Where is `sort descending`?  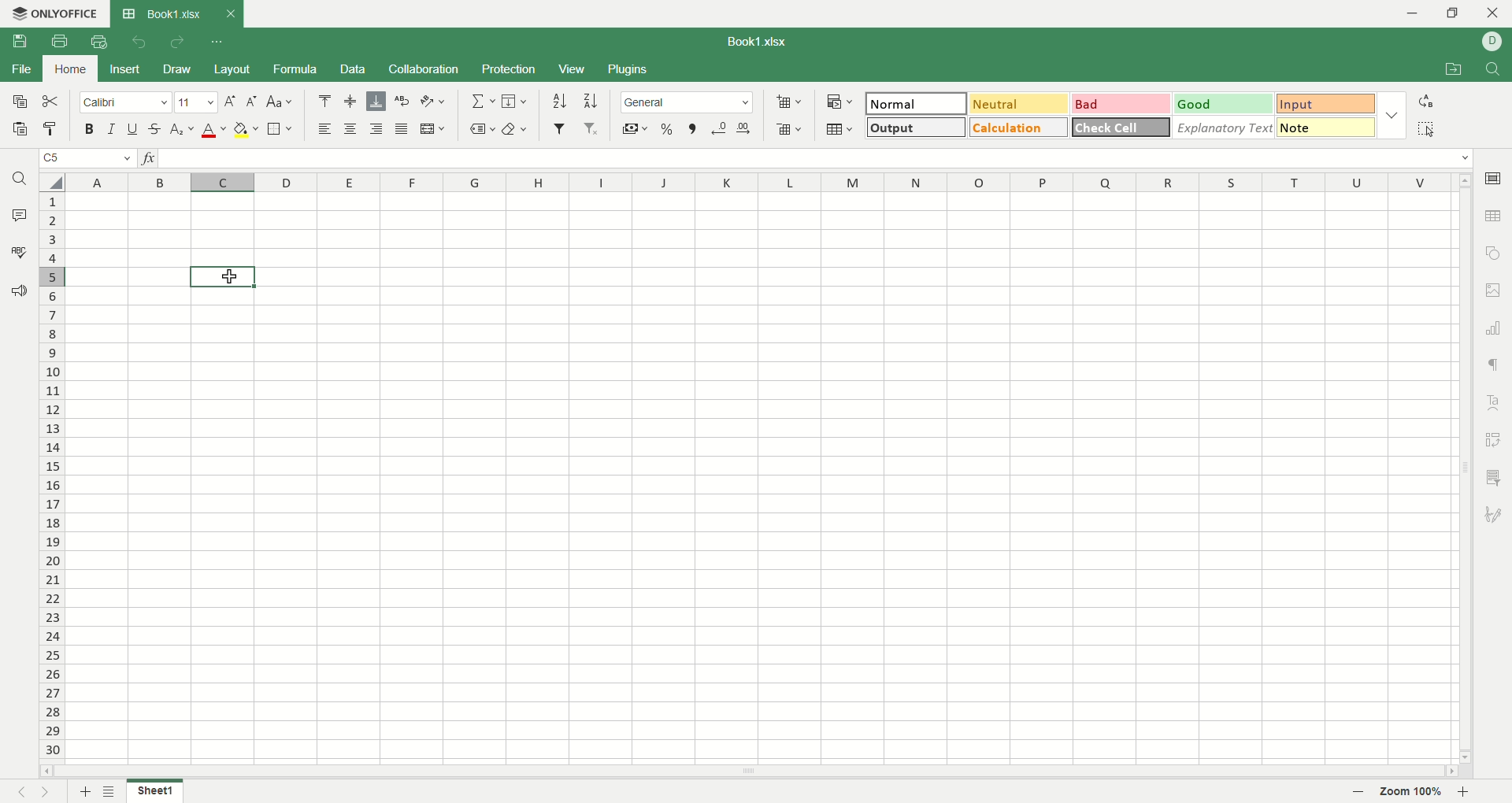
sort descending is located at coordinates (591, 101).